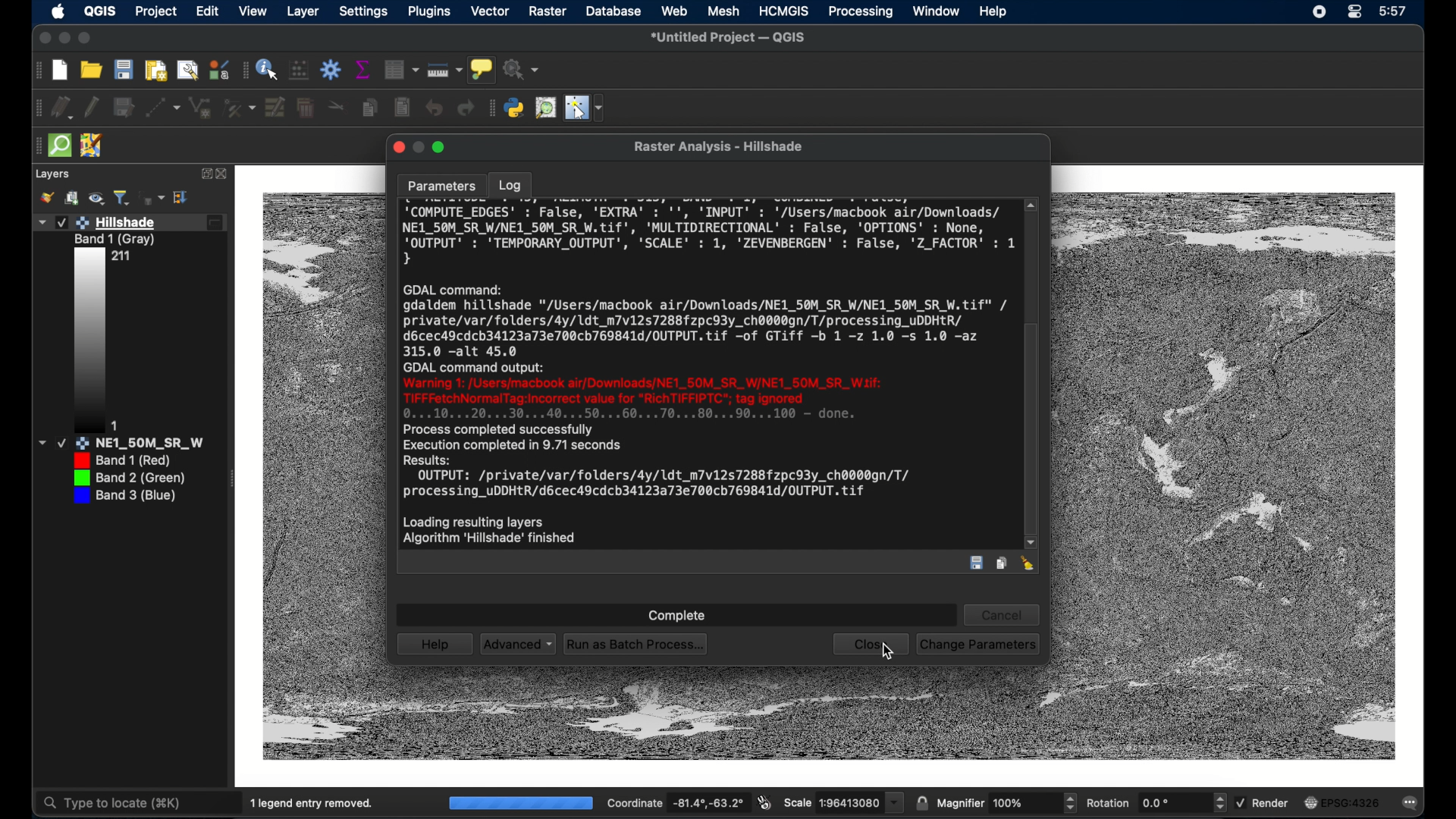 This screenshot has height=819, width=1456. Describe the element at coordinates (41, 39) in the screenshot. I see `close` at that location.